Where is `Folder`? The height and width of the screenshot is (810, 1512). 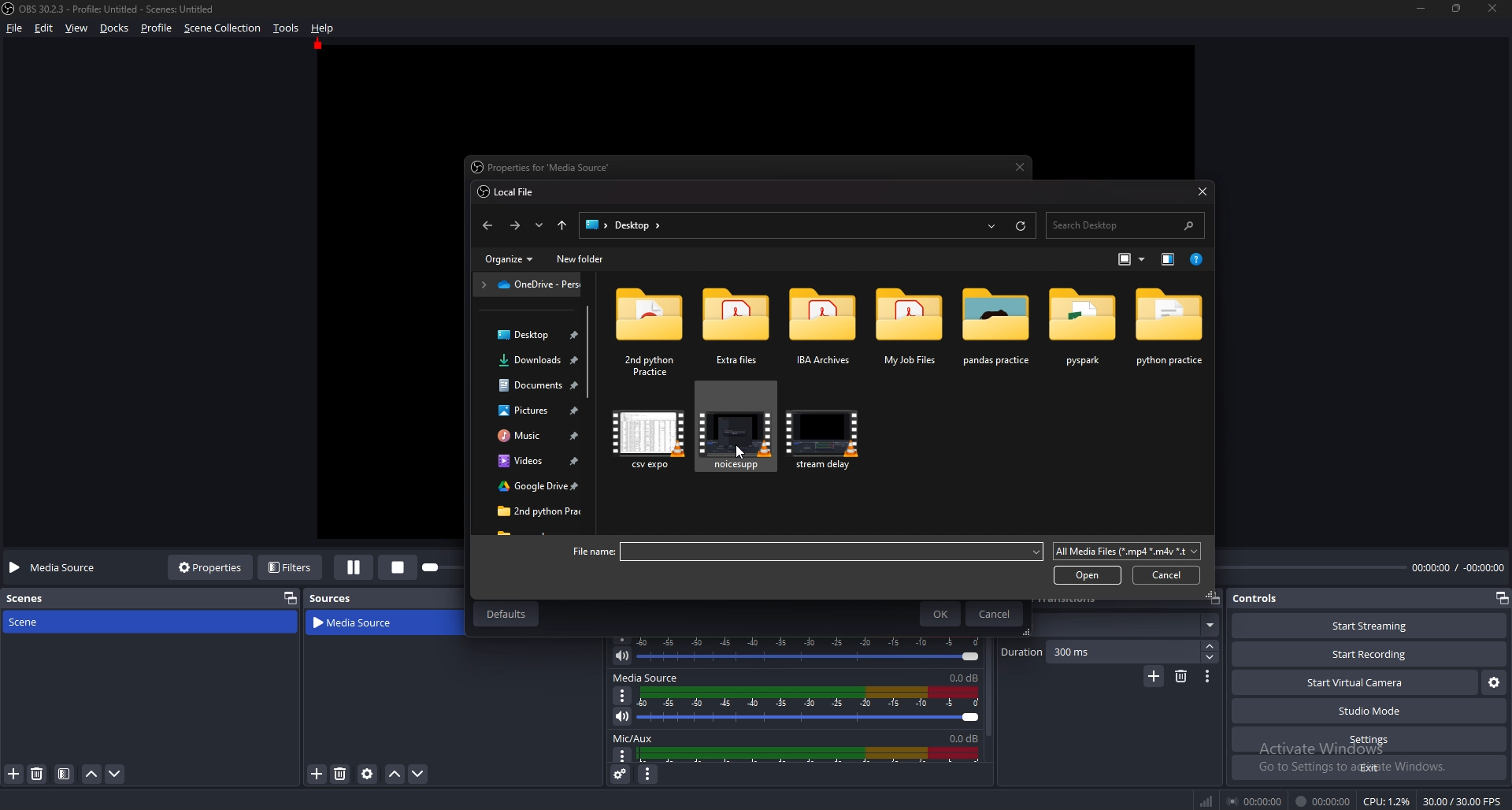 Folder is located at coordinates (530, 360).